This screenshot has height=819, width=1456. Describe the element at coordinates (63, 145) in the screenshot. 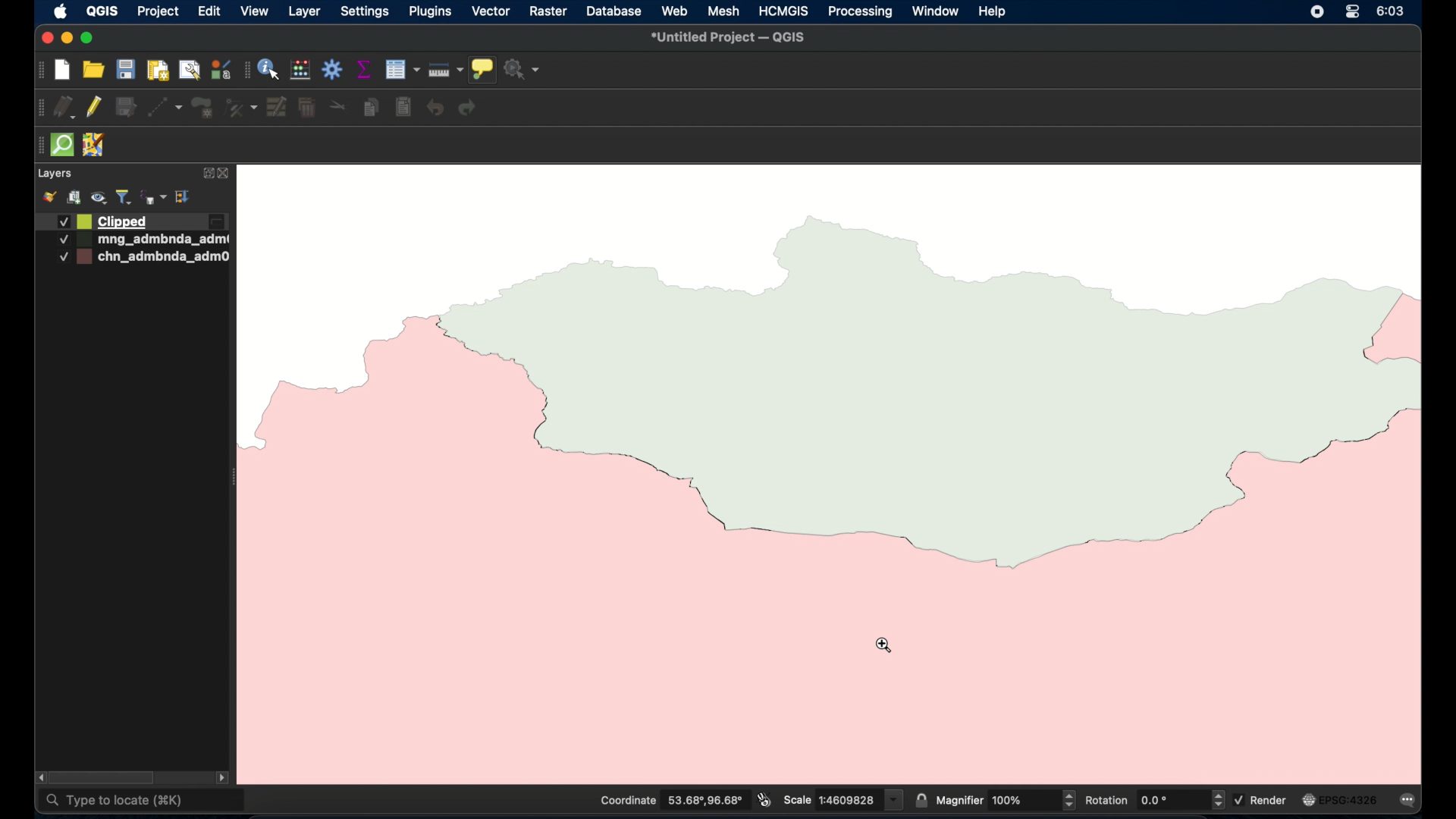

I see `quick osm` at that location.